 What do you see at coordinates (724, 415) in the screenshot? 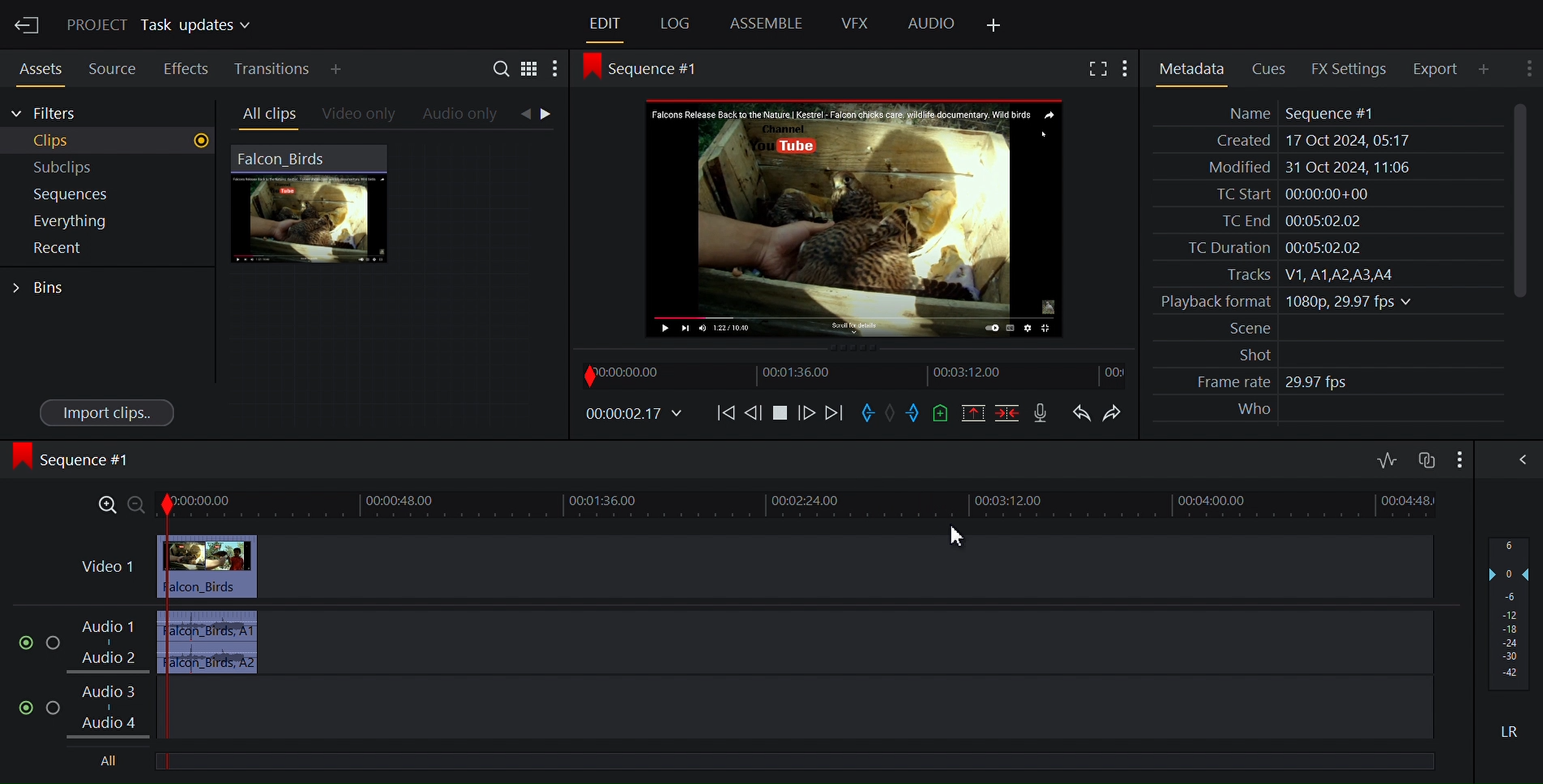
I see `Move backwards` at bounding box center [724, 415].